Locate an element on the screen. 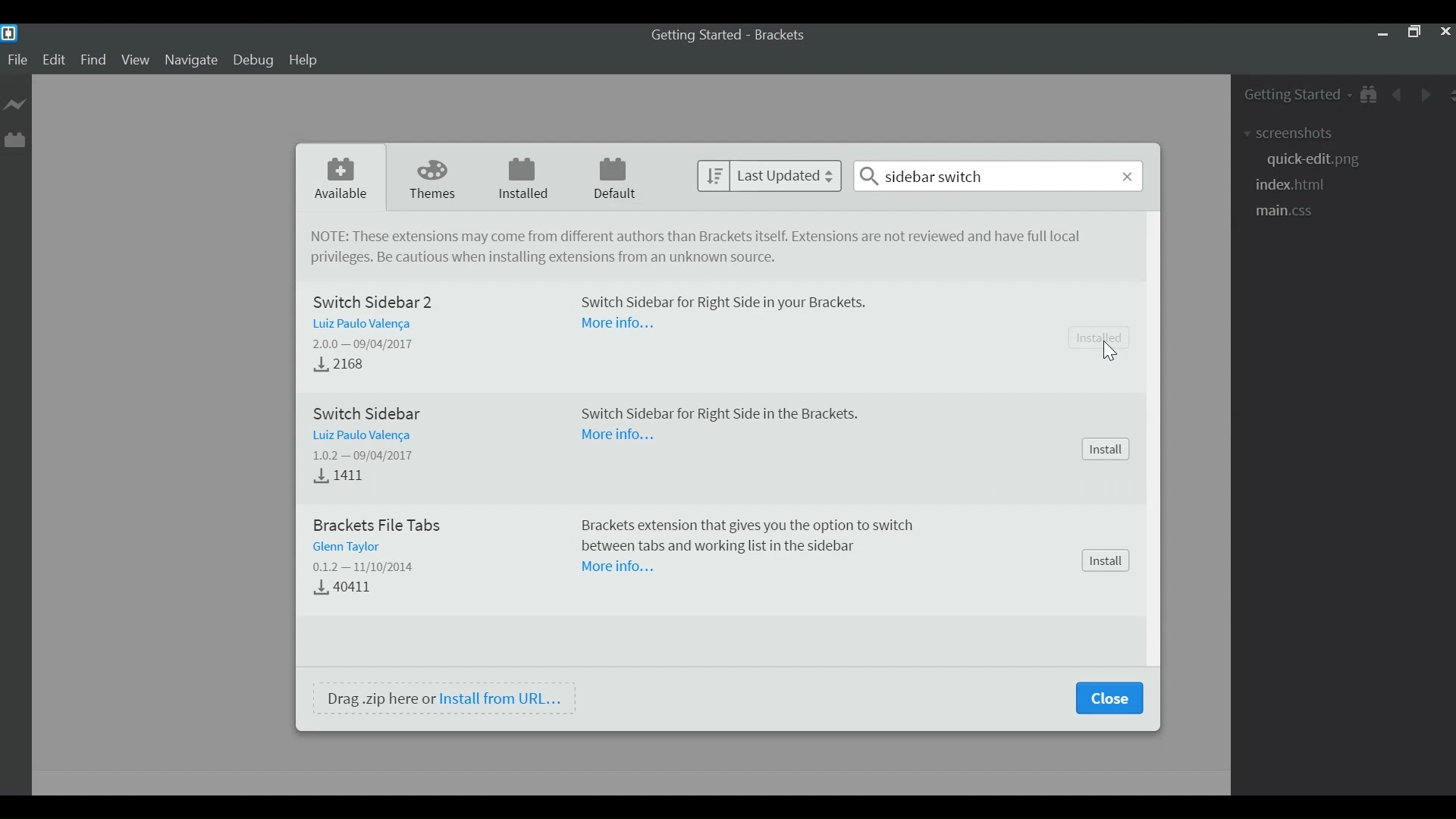 The height and width of the screenshot is (819, 1456). Default is located at coordinates (613, 177).